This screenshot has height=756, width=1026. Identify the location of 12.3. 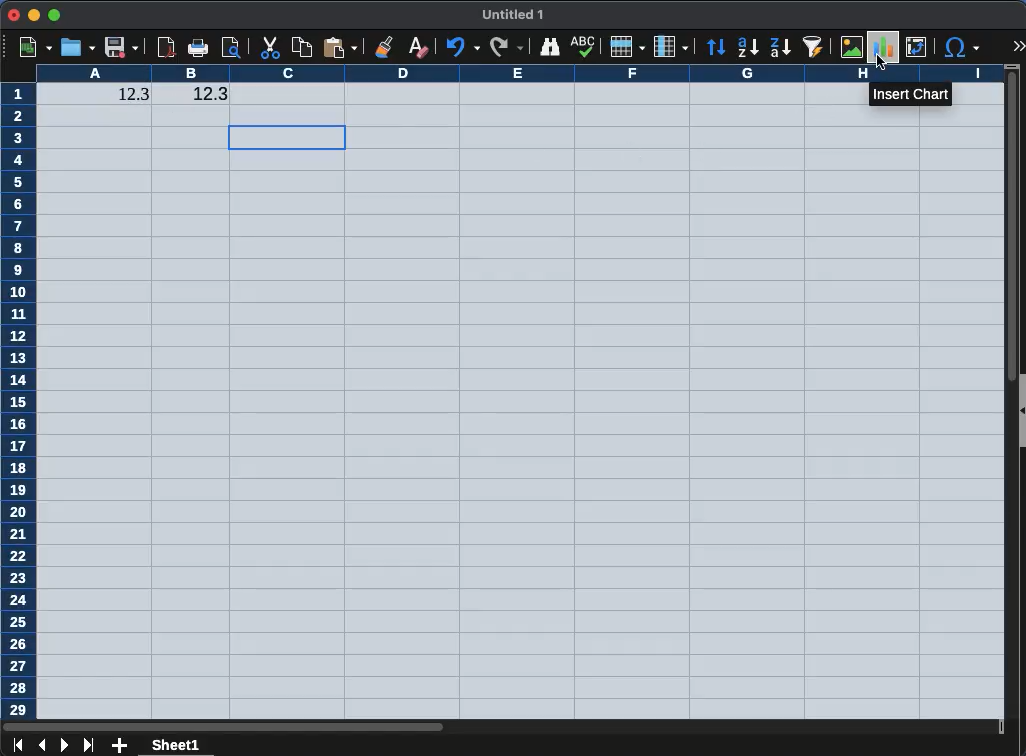
(124, 93).